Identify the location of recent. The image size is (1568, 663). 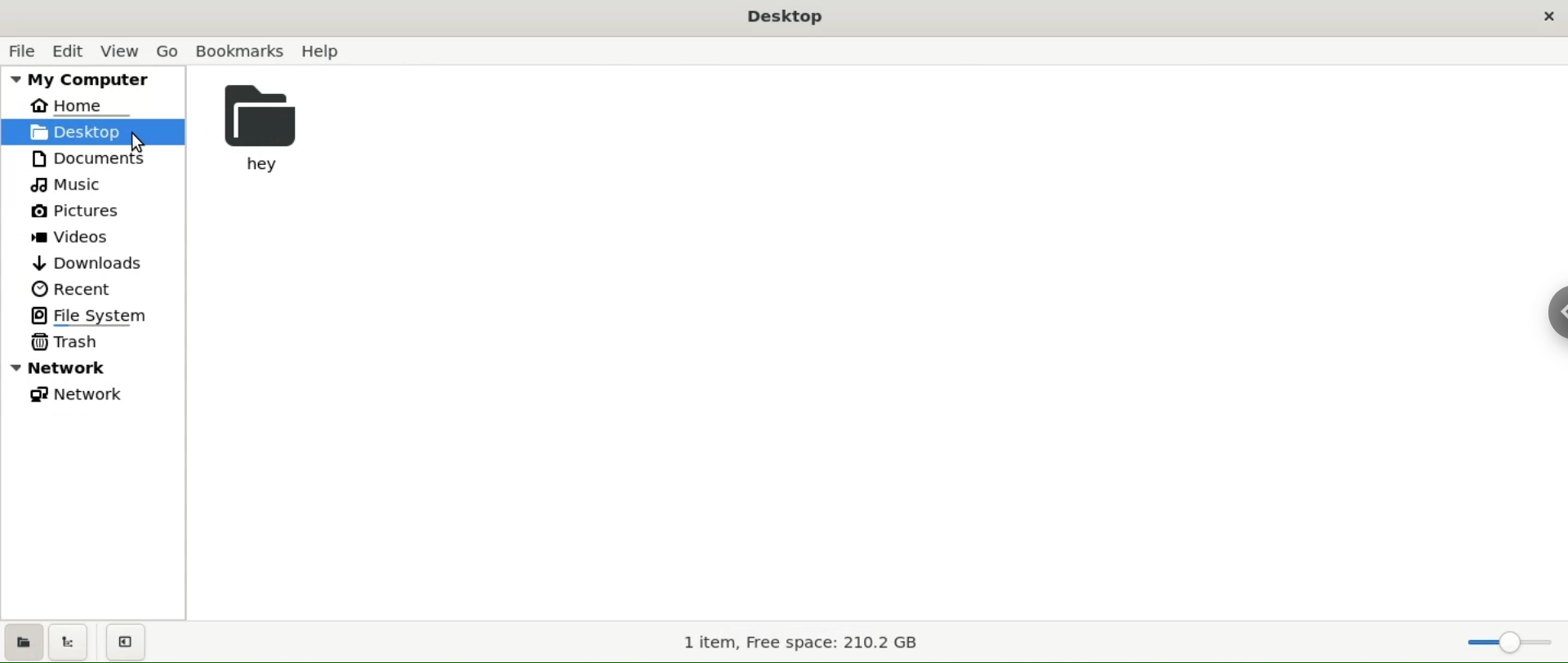
(74, 288).